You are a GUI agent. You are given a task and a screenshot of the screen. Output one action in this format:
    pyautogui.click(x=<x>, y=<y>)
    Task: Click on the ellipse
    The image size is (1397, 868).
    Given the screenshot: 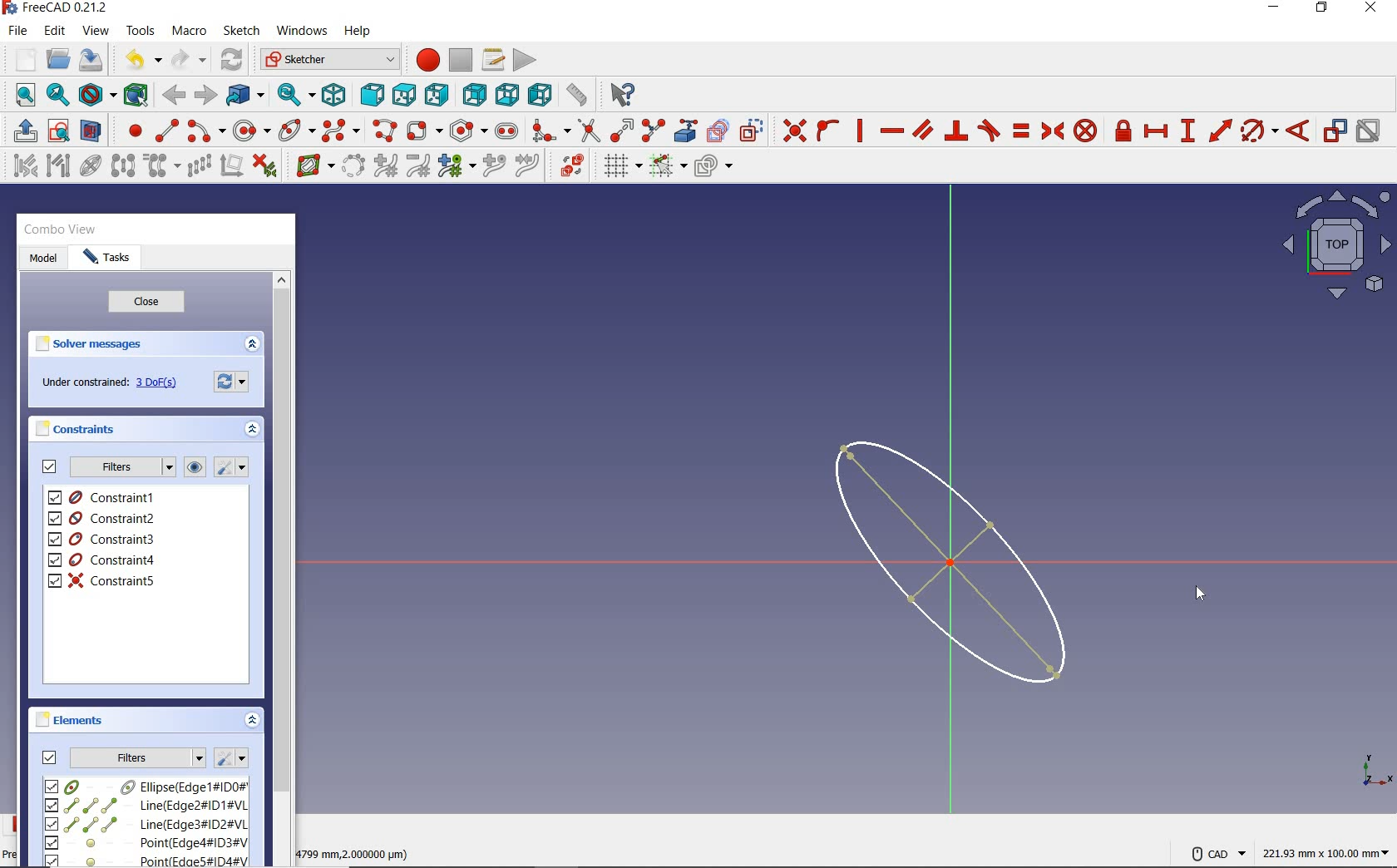 What is the action you would take?
    pyautogui.click(x=296, y=129)
    